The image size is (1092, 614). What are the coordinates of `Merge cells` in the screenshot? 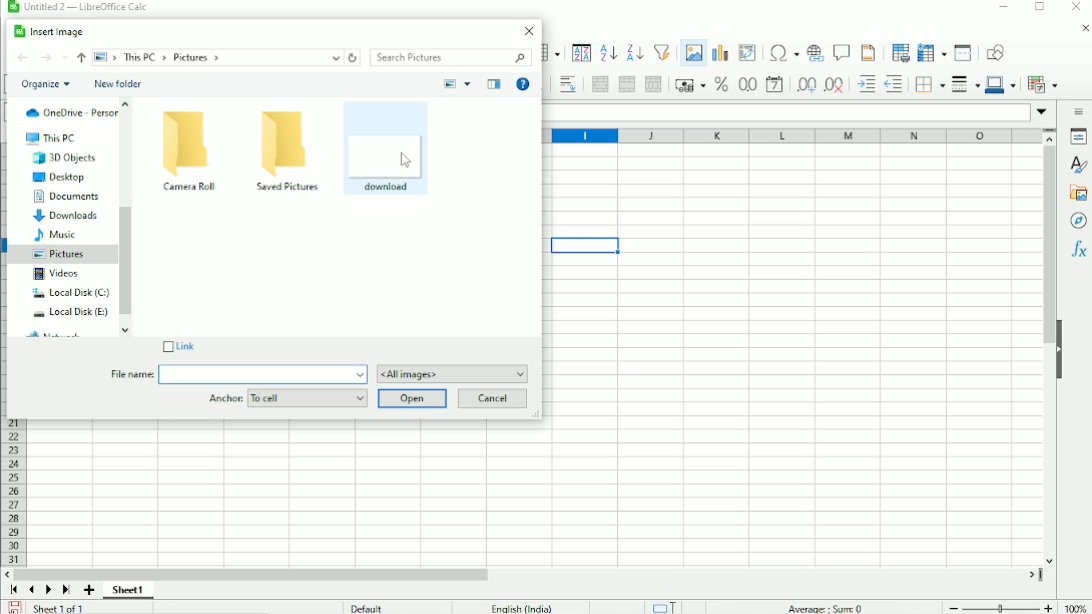 It's located at (625, 84).